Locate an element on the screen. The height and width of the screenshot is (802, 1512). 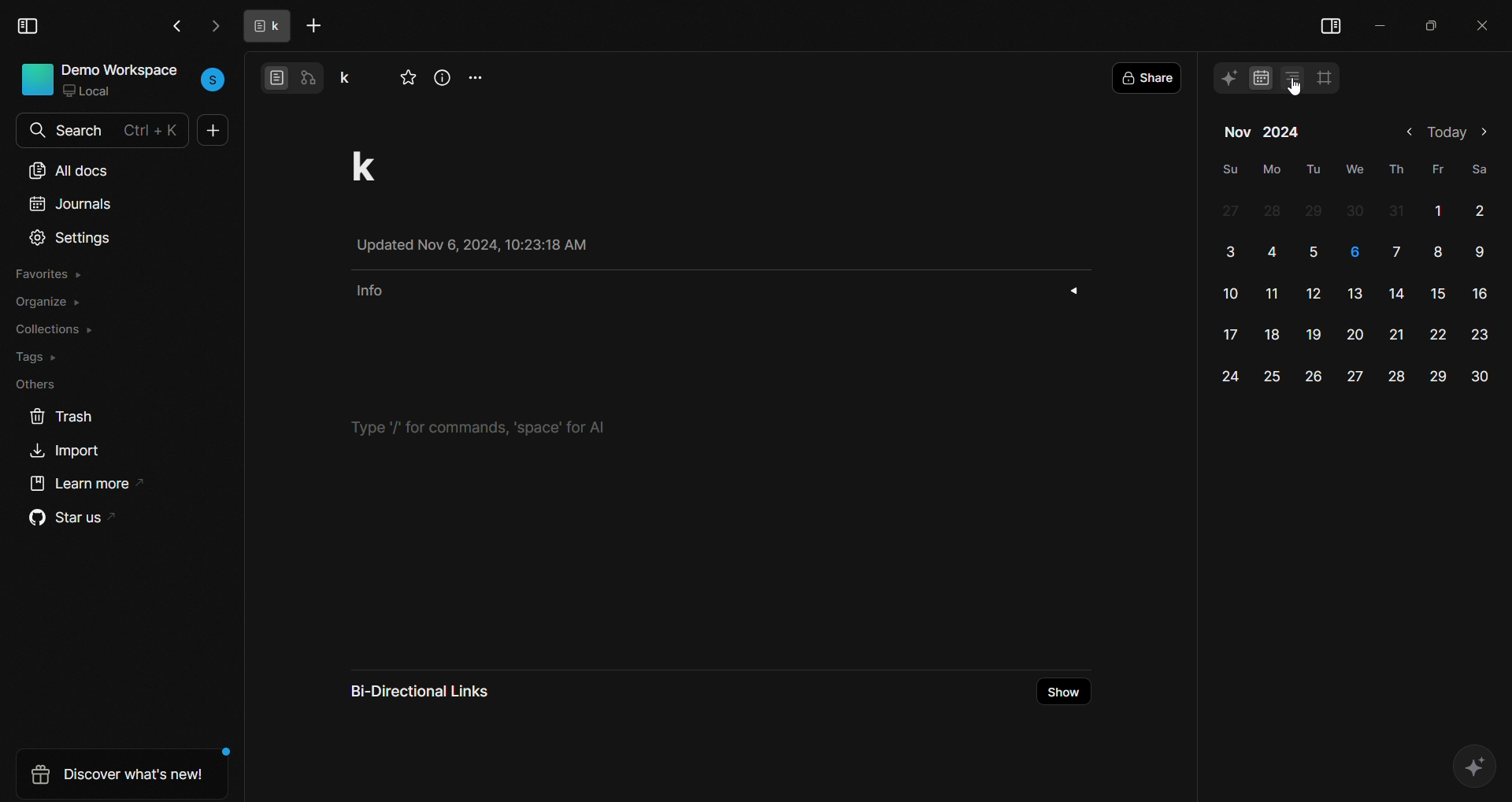
go back is located at coordinates (176, 25).